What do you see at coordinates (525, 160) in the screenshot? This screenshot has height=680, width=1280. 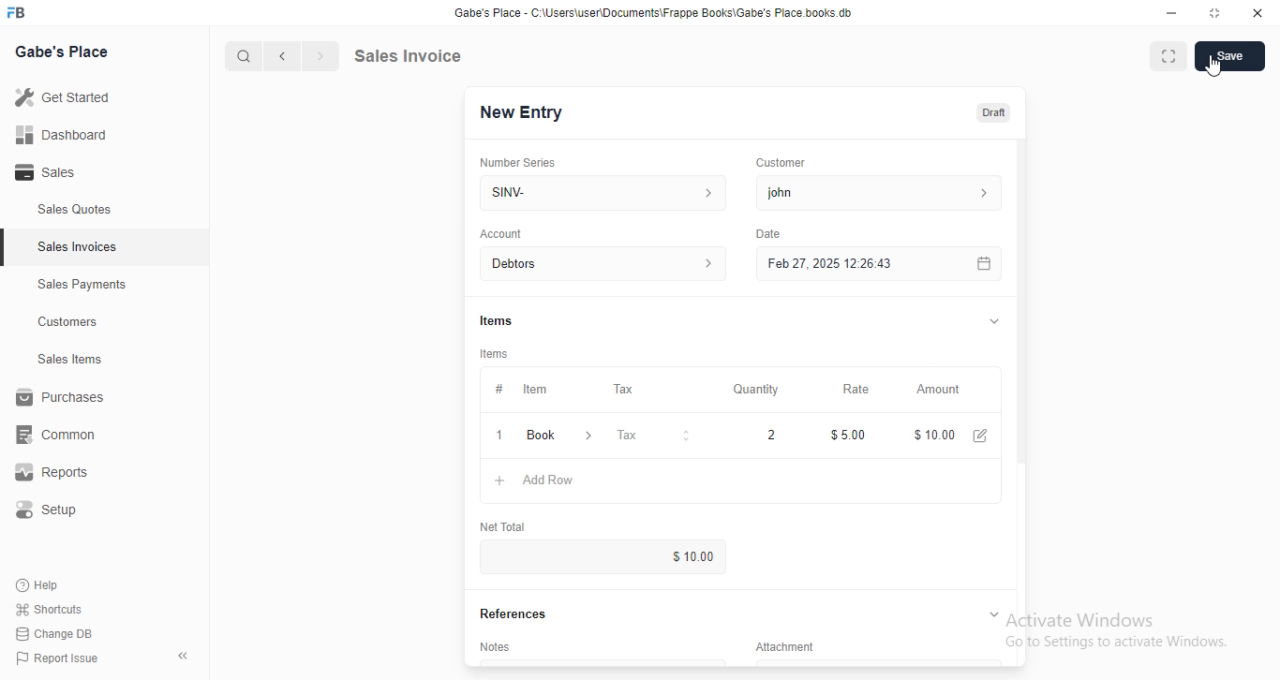 I see `Number Series` at bounding box center [525, 160].